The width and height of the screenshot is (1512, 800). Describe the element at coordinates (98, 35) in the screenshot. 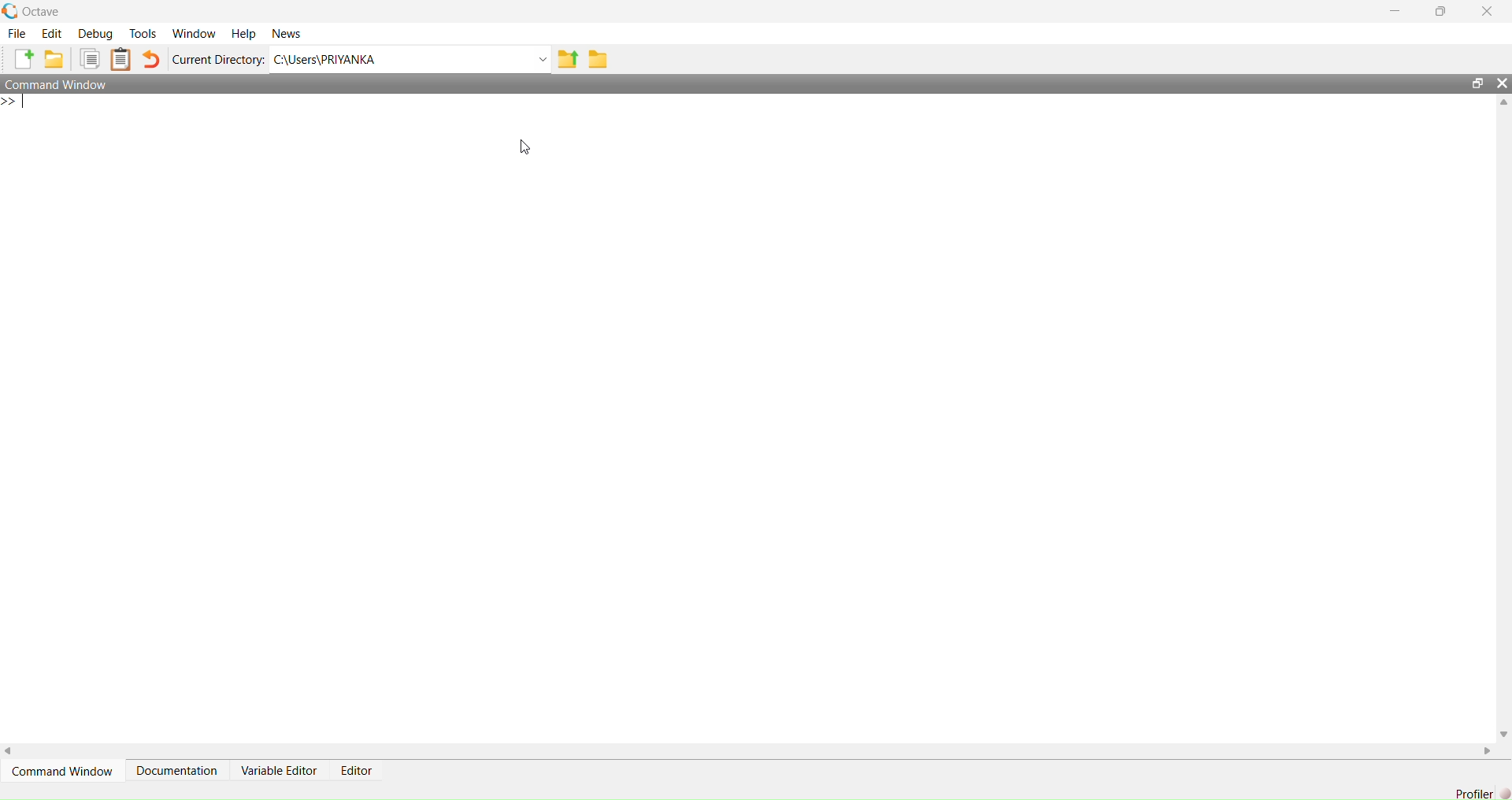

I see `Debug` at that location.